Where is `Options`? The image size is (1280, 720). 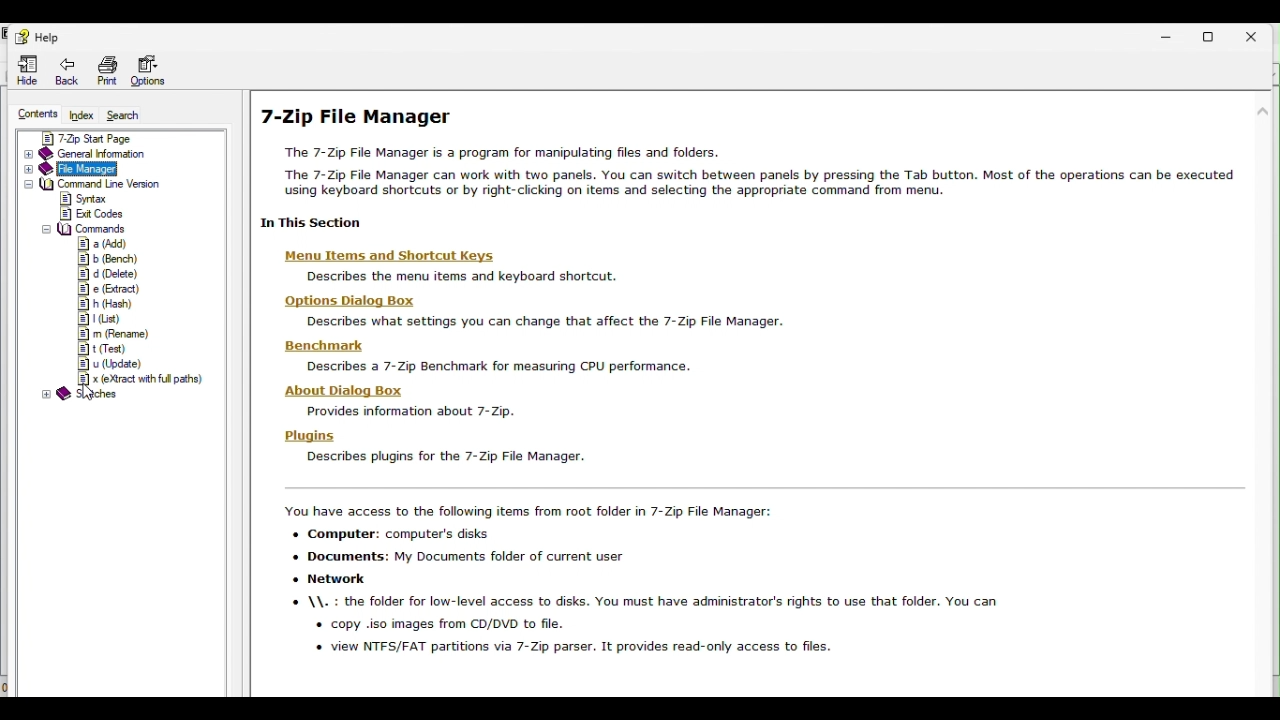 Options is located at coordinates (153, 73).